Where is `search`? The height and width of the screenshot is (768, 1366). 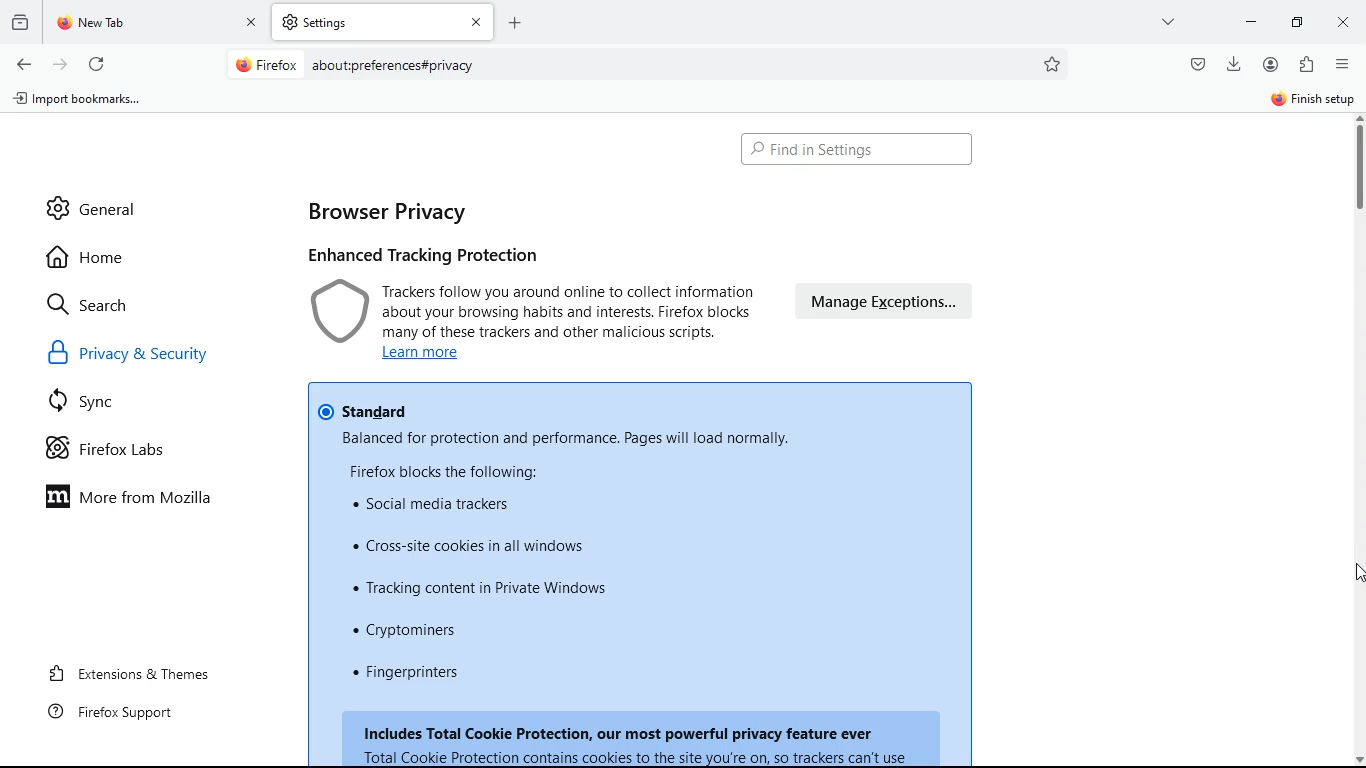
search is located at coordinates (100, 304).